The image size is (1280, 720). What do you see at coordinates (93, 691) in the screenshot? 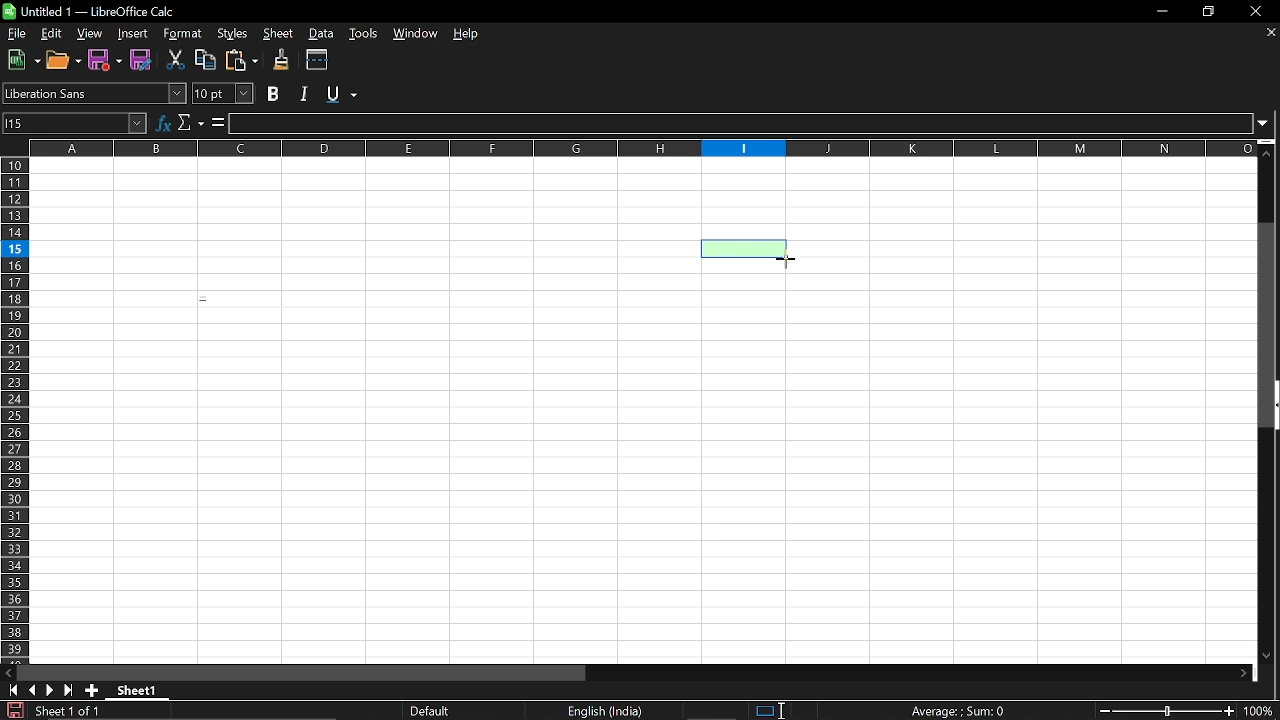
I see `Add sheet` at bounding box center [93, 691].